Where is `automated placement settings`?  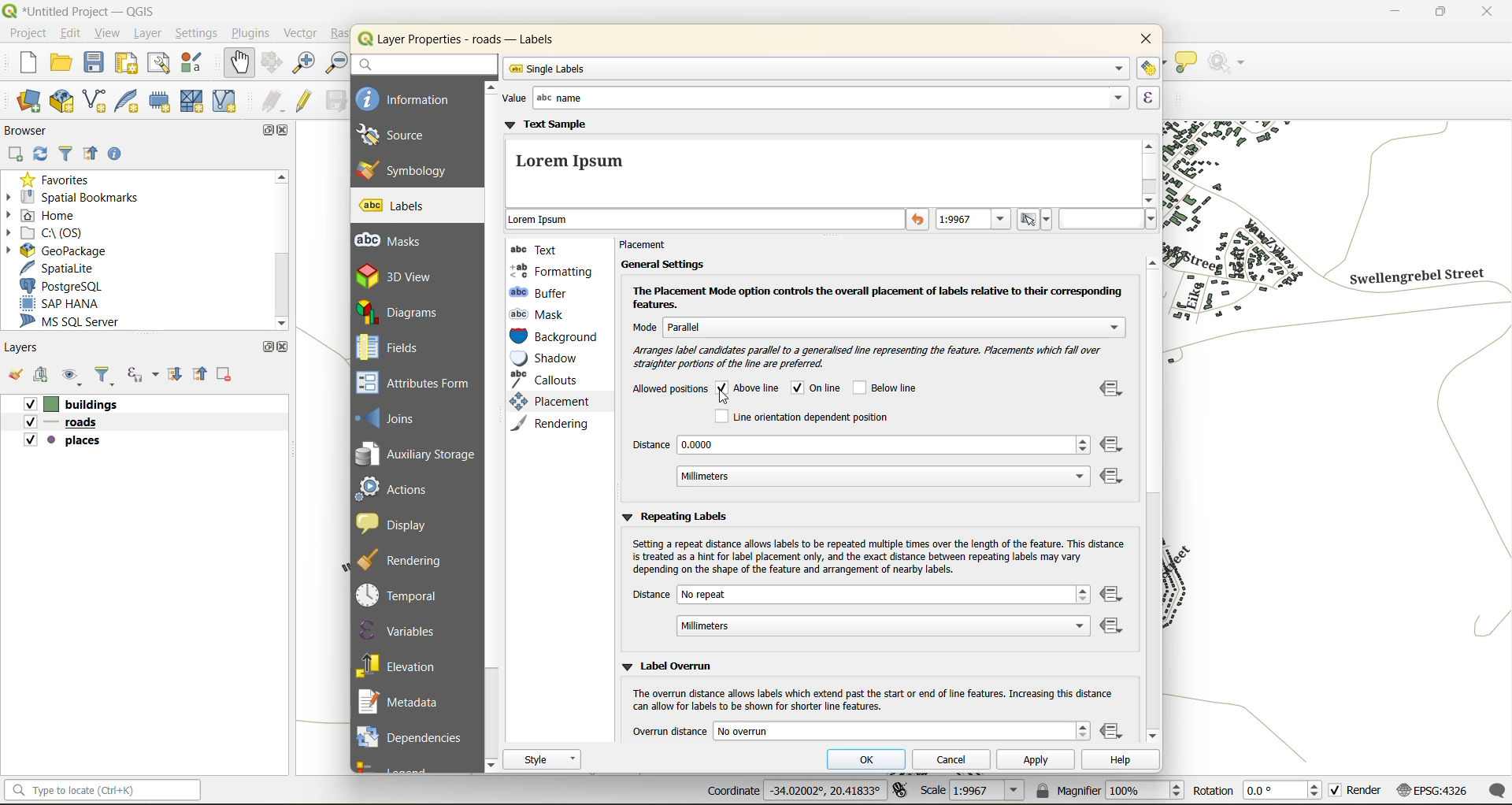
automated placement settings is located at coordinates (1149, 68).